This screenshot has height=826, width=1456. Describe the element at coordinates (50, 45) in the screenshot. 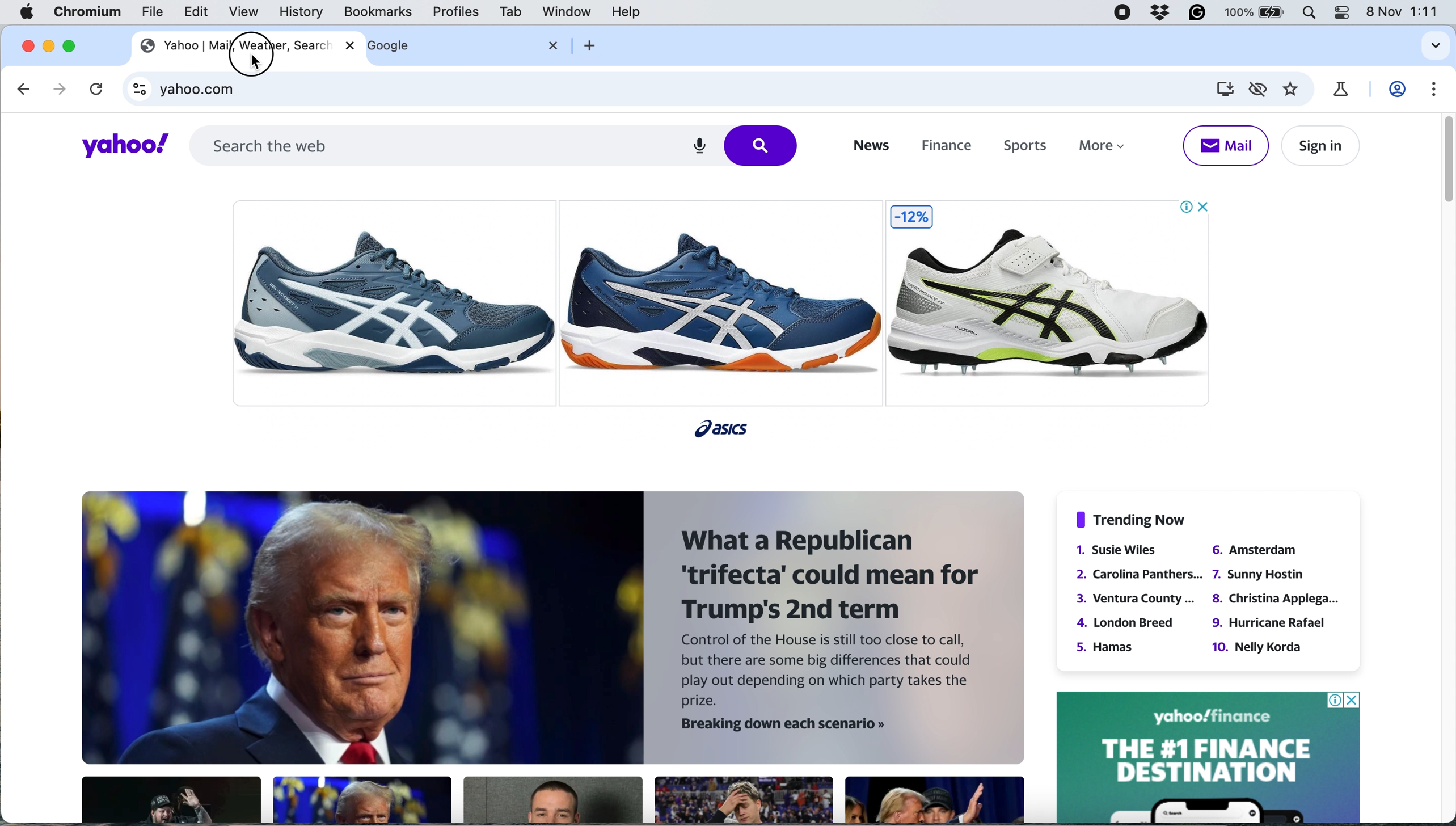

I see `minimise` at that location.